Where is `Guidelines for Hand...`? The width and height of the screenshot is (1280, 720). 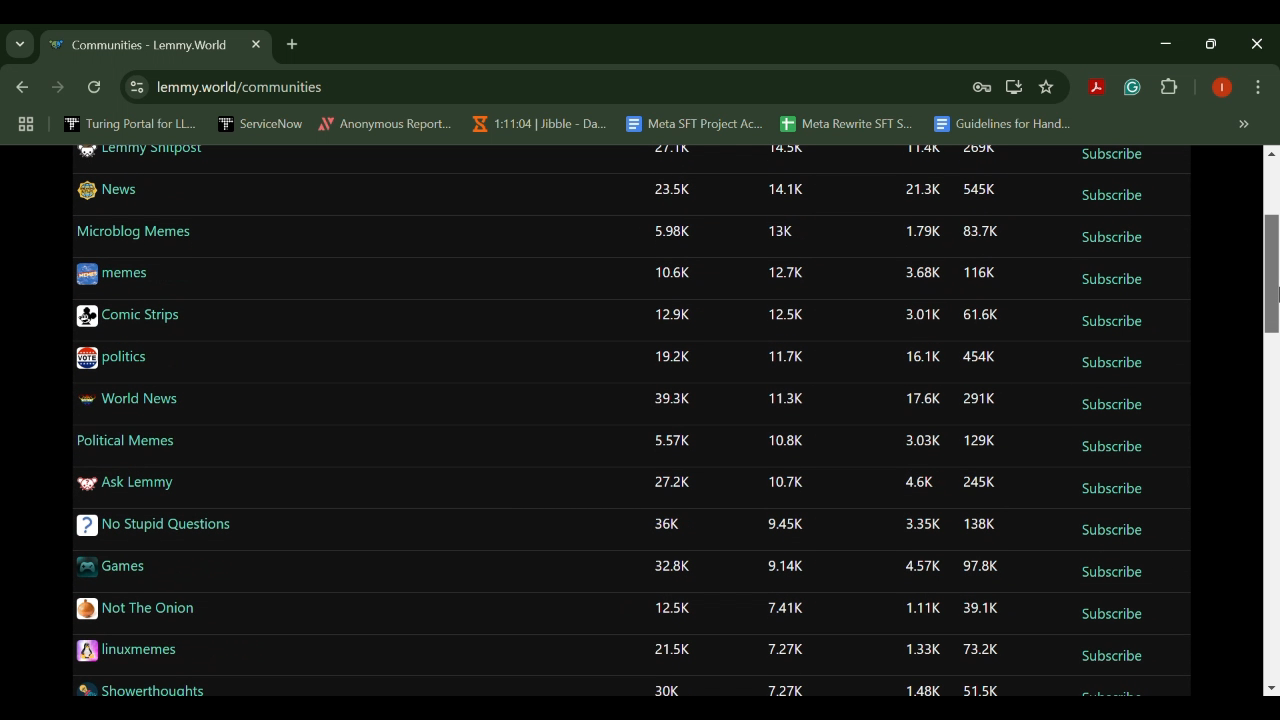 Guidelines for Hand... is located at coordinates (1000, 124).